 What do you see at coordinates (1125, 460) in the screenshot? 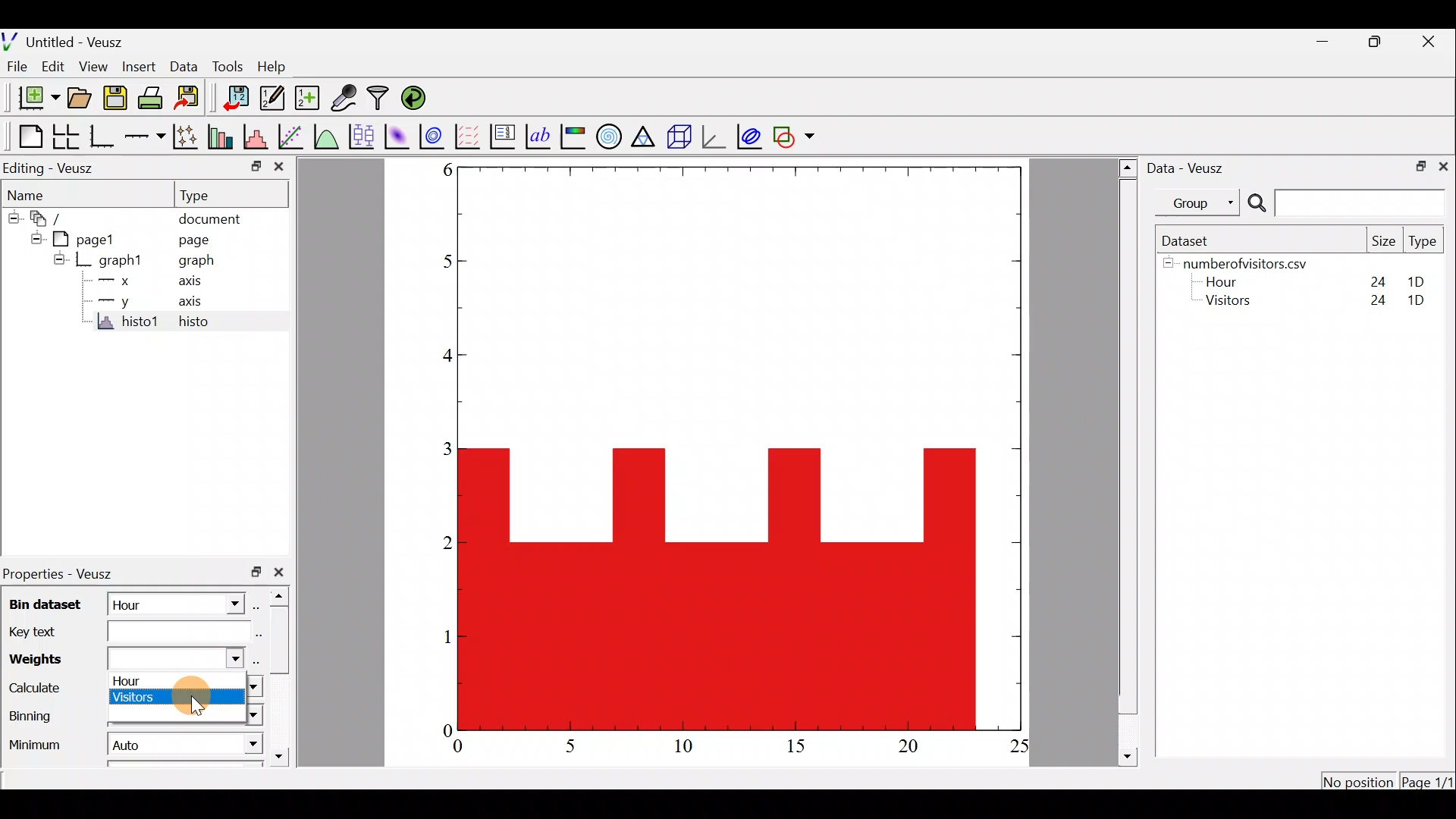
I see `scroll bar` at bounding box center [1125, 460].